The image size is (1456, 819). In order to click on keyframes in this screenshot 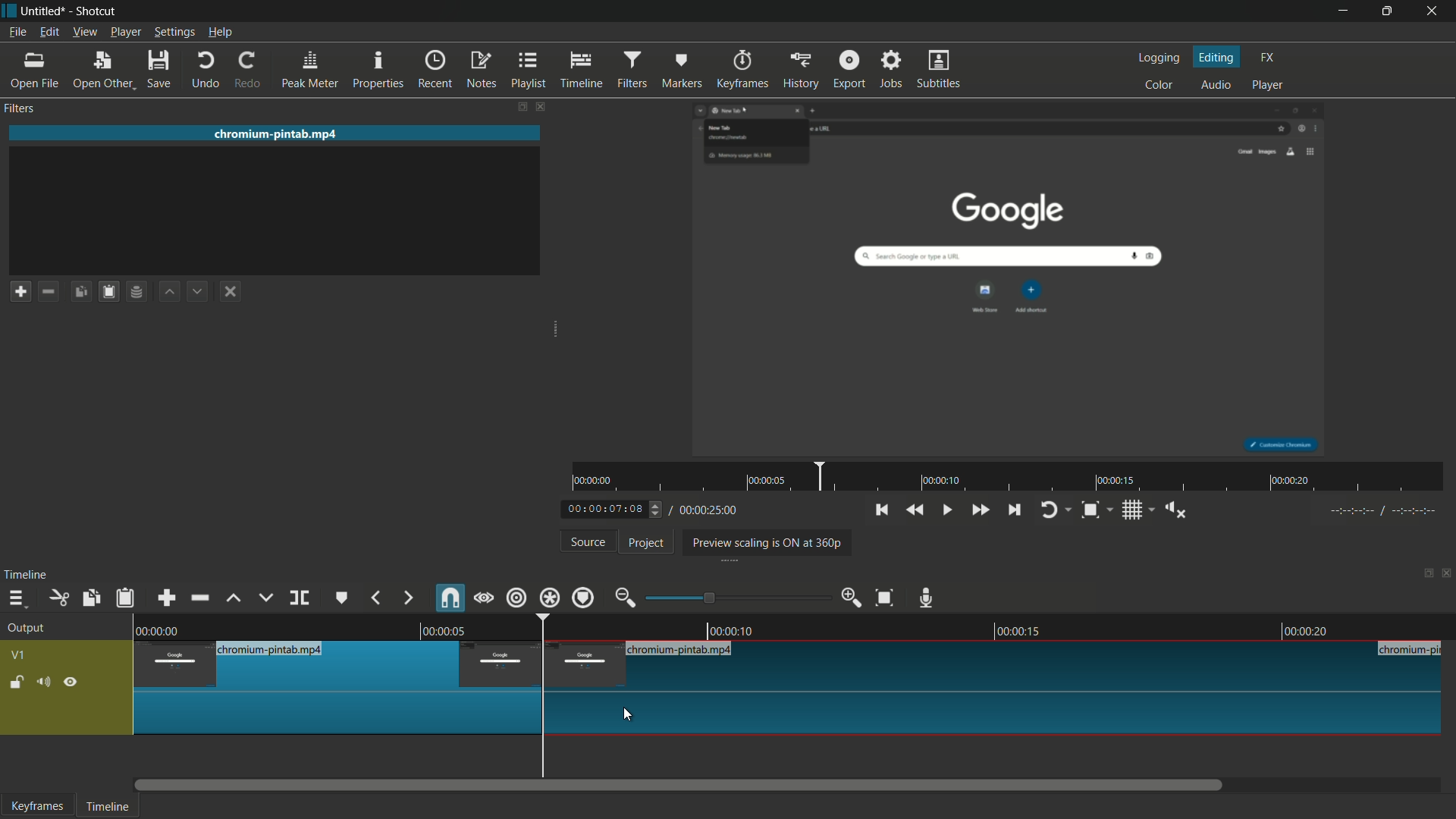, I will do `click(745, 69)`.